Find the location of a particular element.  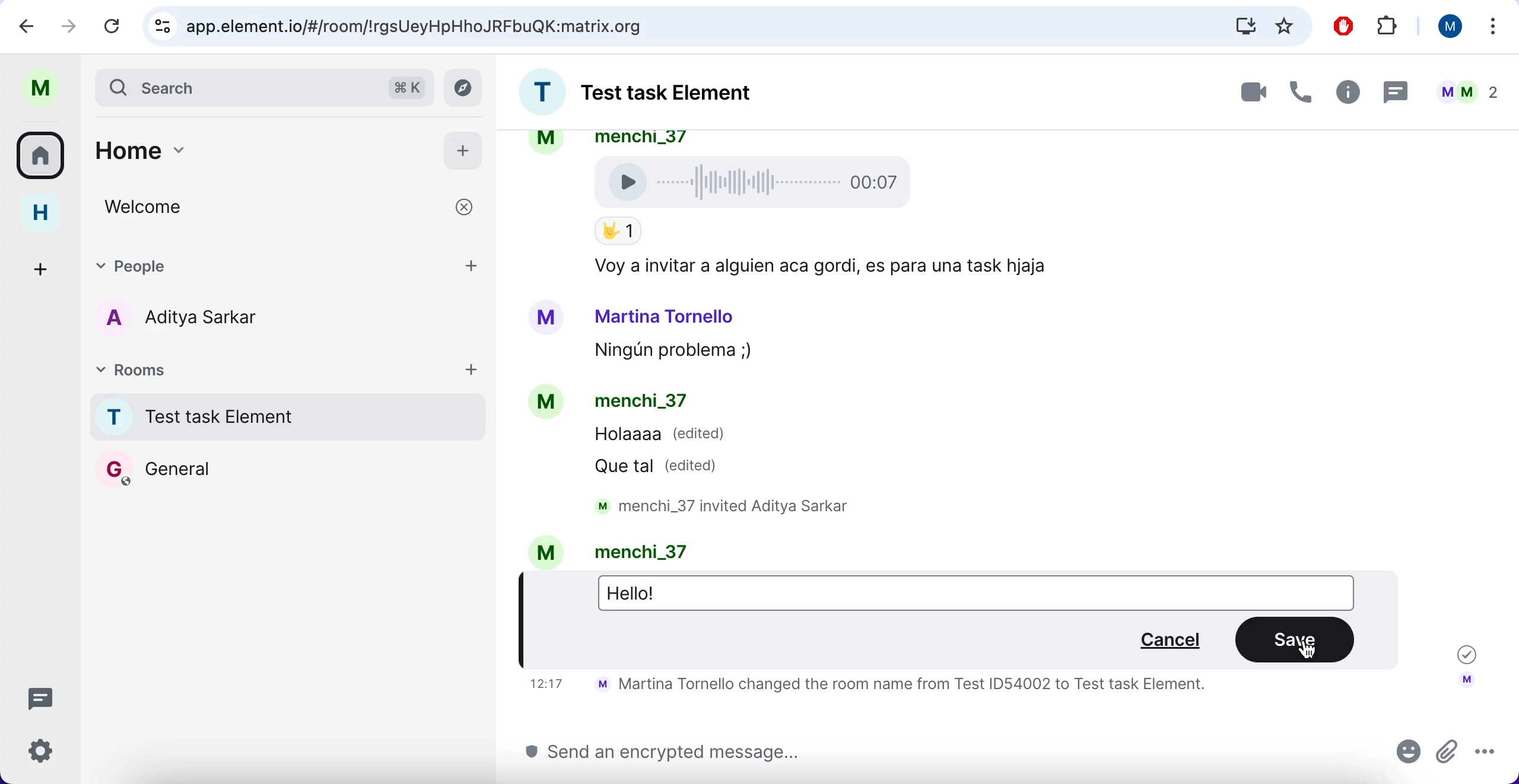

threads is located at coordinates (43, 696).